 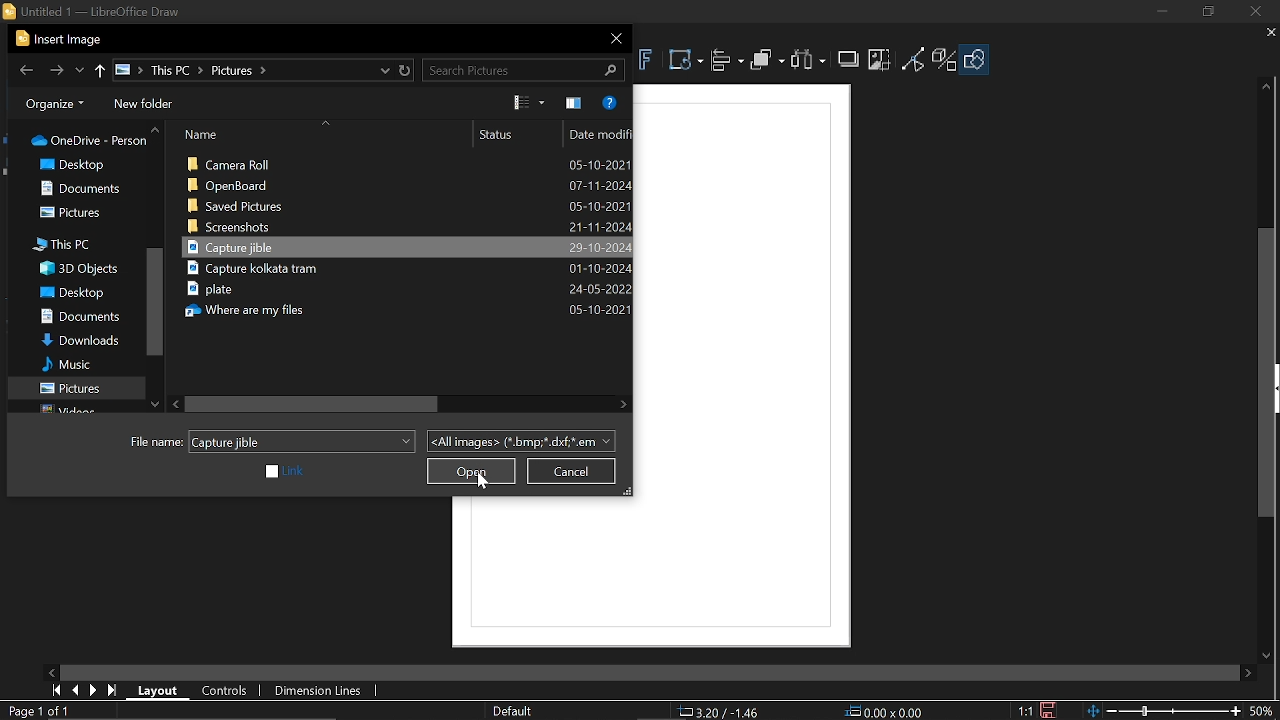 What do you see at coordinates (609, 103) in the screenshot?
I see `Help` at bounding box center [609, 103].